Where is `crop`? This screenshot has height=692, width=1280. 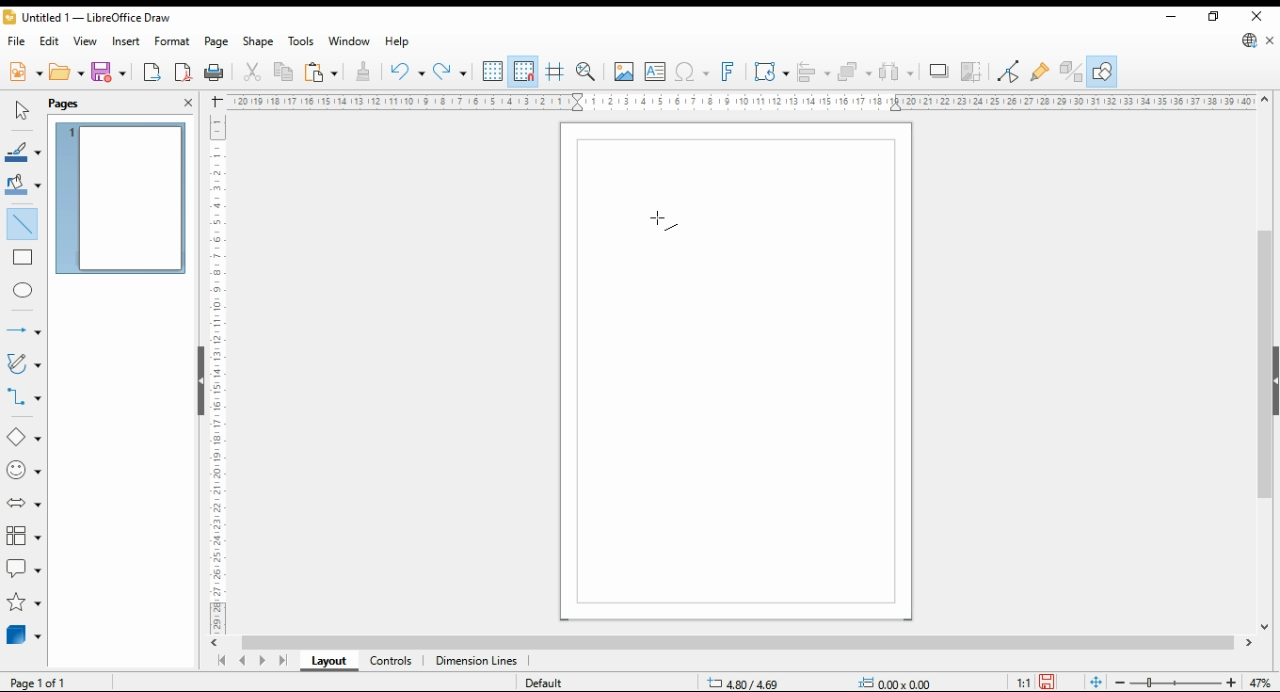 crop is located at coordinates (974, 72).